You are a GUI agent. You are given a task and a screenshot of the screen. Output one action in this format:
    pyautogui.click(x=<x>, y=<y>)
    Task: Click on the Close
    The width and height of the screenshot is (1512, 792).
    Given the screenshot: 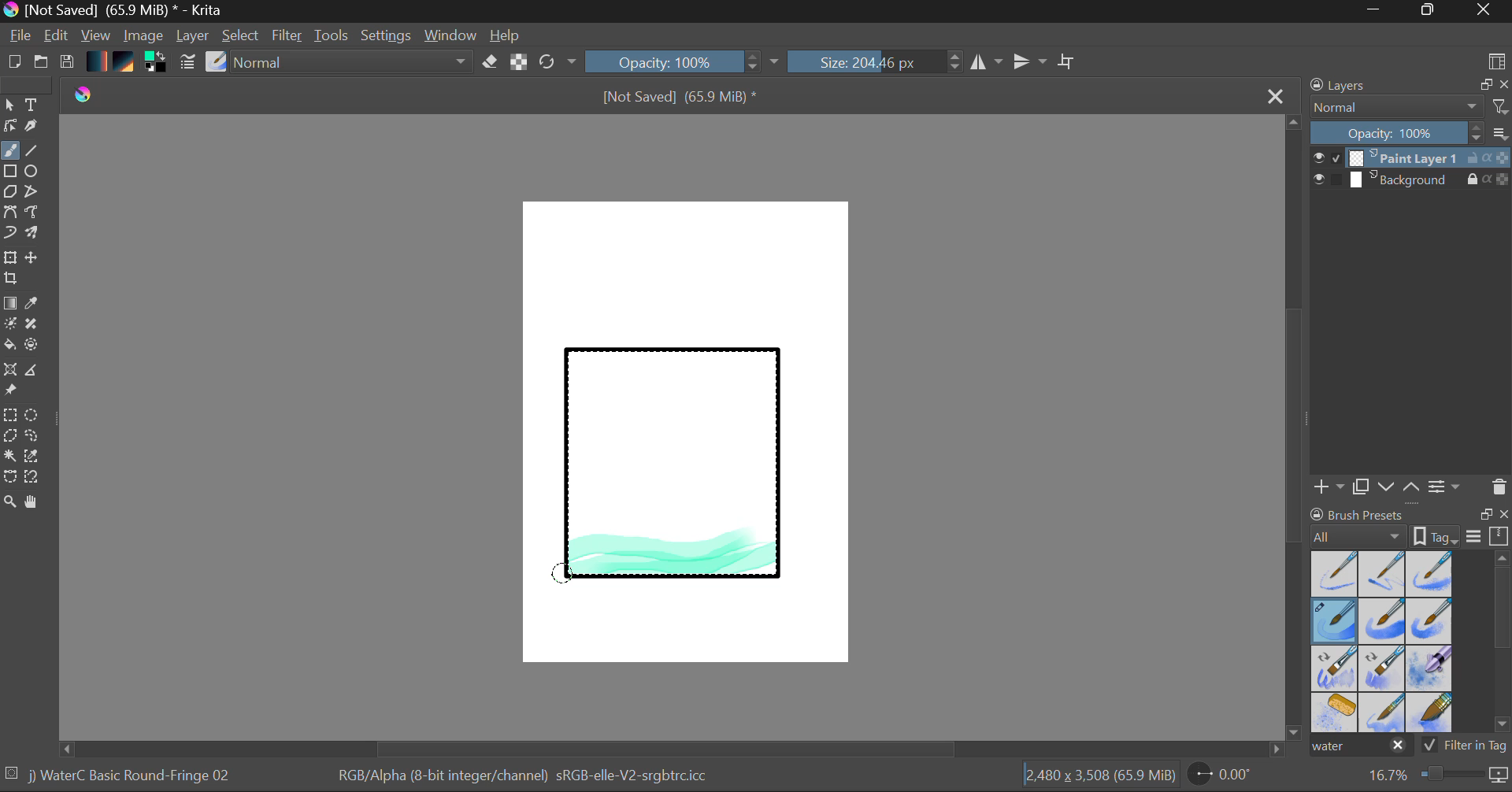 What is the action you would take?
    pyautogui.click(x=1485, y=11)
    